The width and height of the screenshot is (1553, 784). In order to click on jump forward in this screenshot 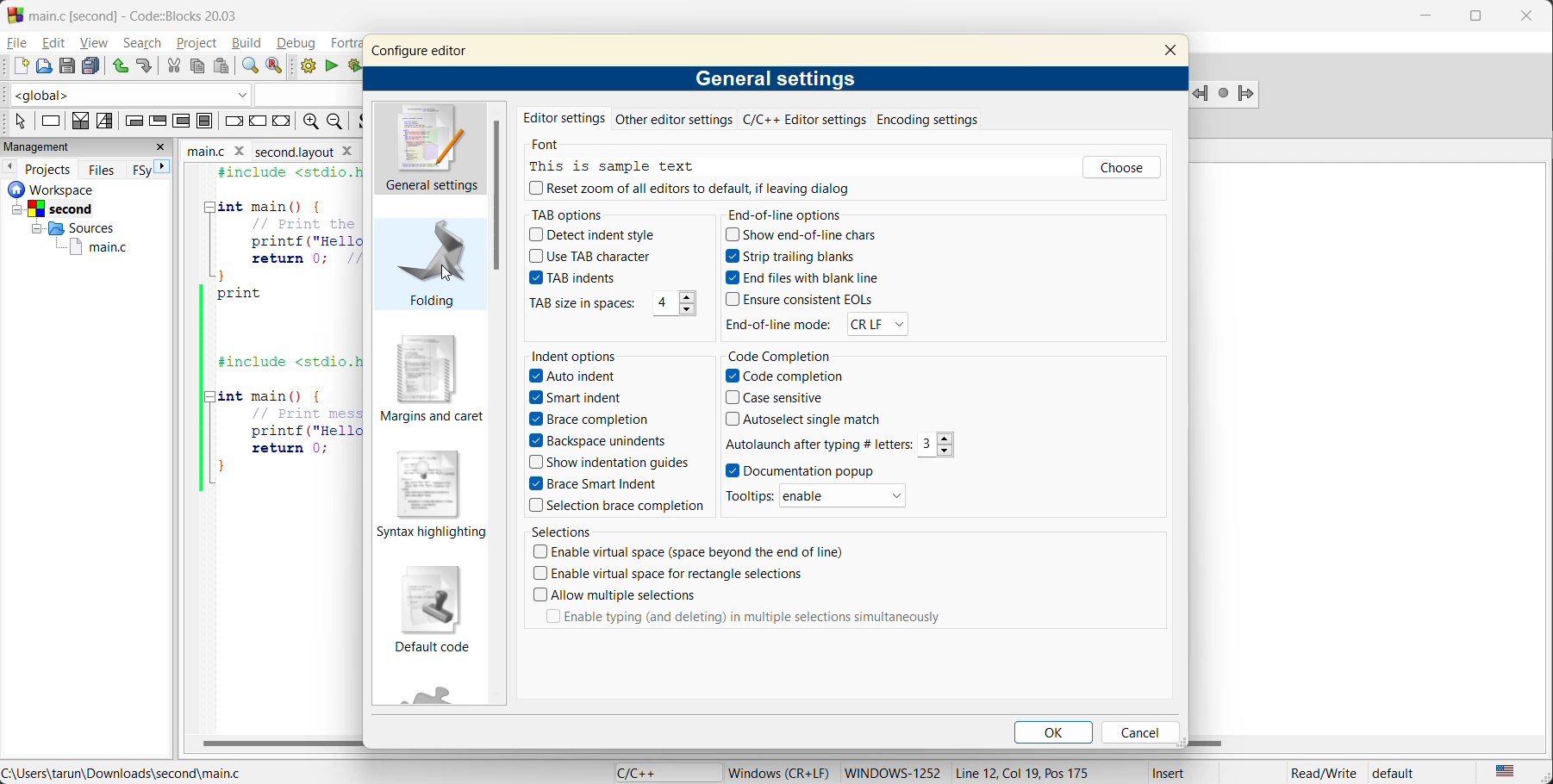, I will do `click(1247, 94)`.